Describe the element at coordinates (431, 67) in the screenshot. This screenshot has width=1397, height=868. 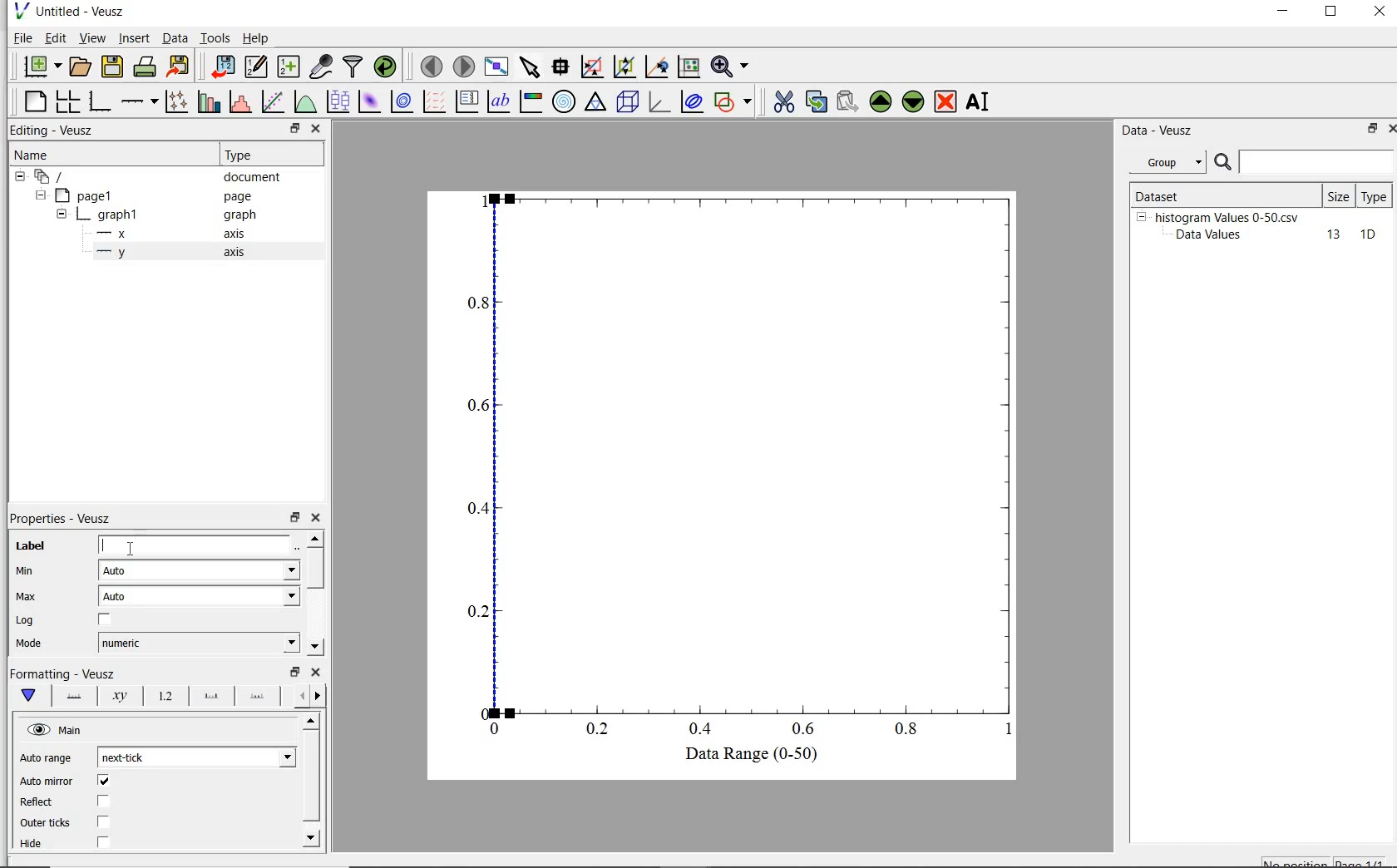
I see `move to previous page` at that location.